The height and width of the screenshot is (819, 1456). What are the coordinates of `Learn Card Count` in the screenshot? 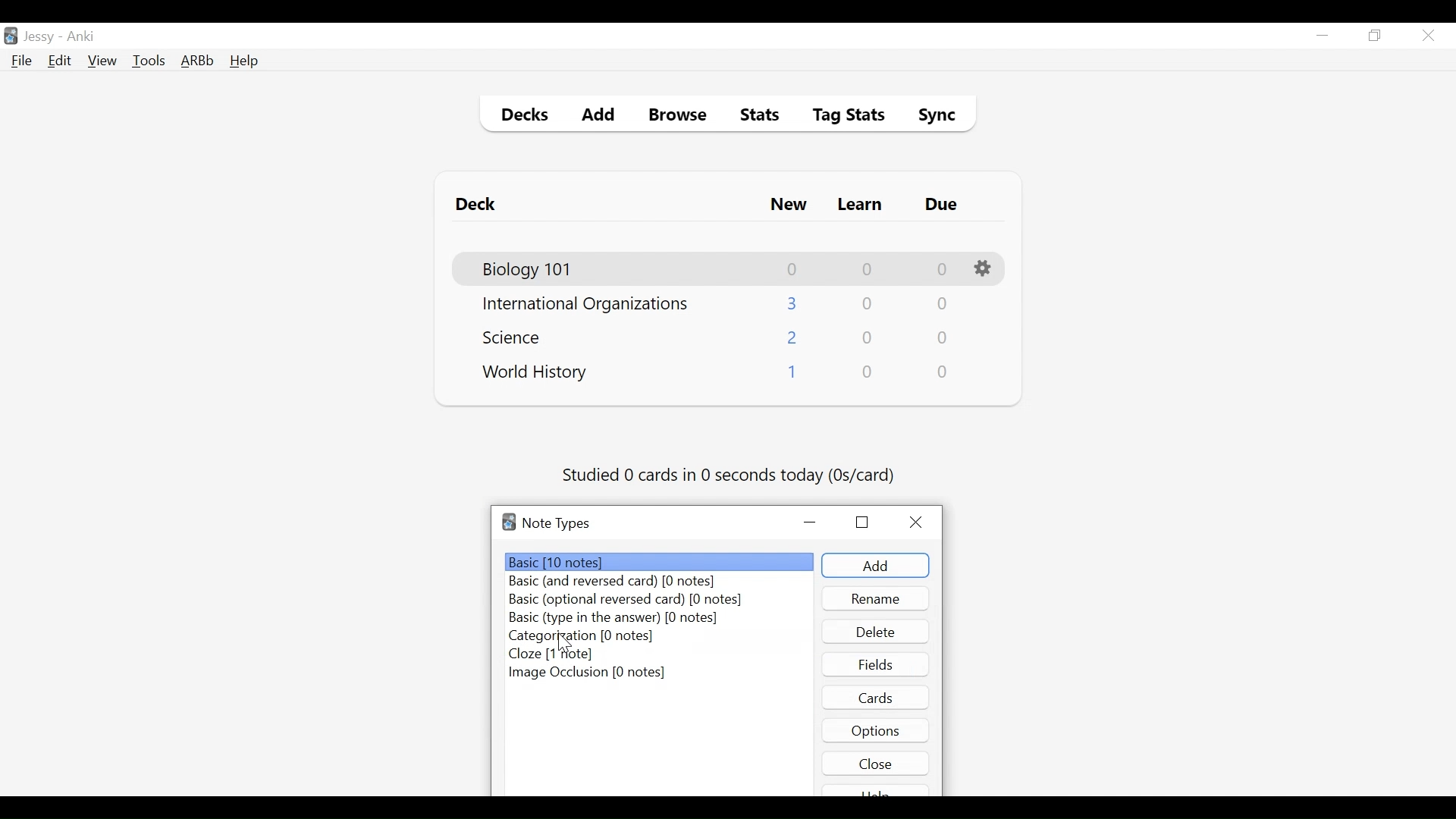 It's located at (866, 269).